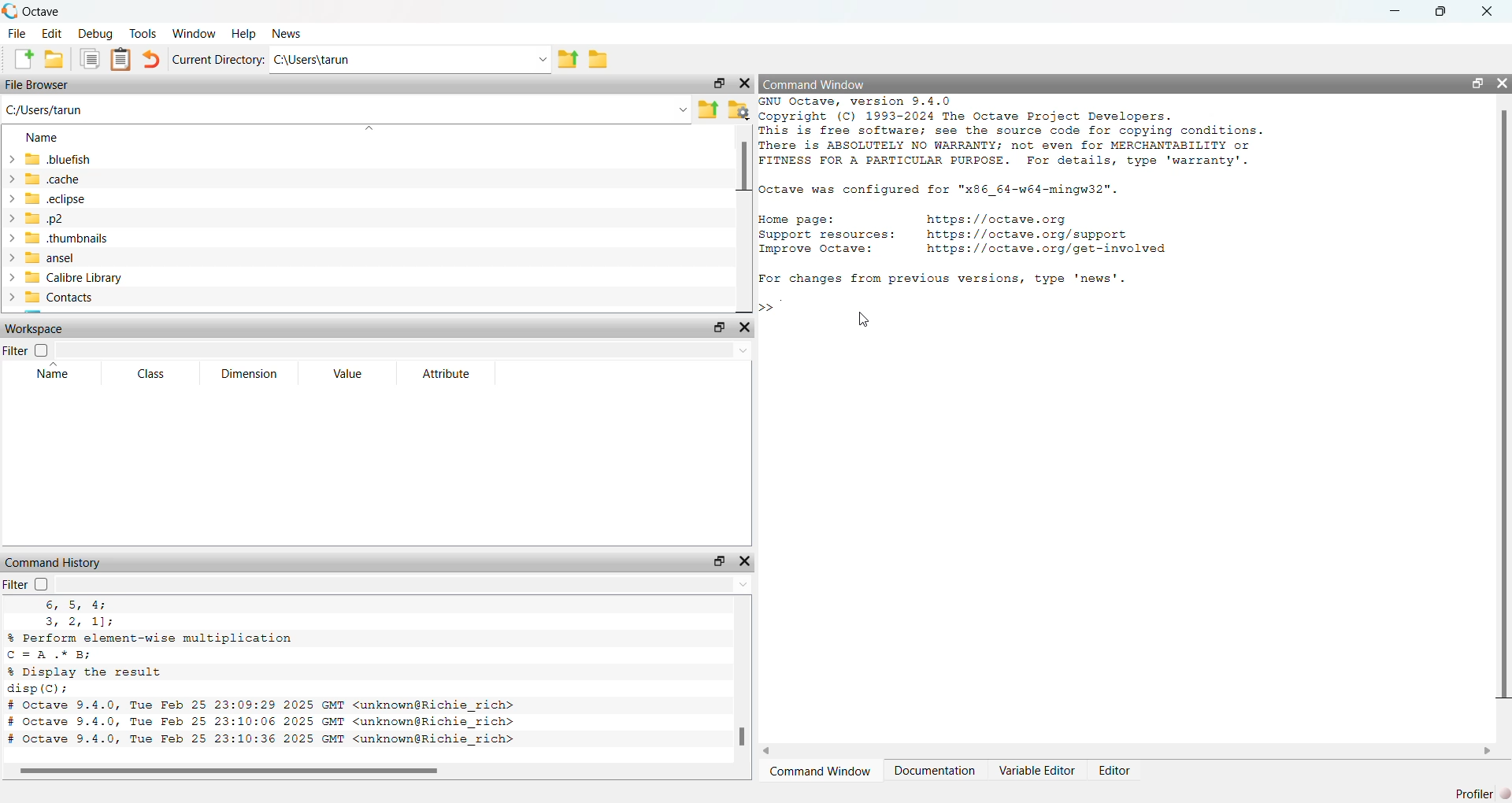 This screenshot has height=803, width=1512. What do you see at coordinates (1126, 751) in the screenshot?
I see `Scroll` at bounding box center [1126, 751].